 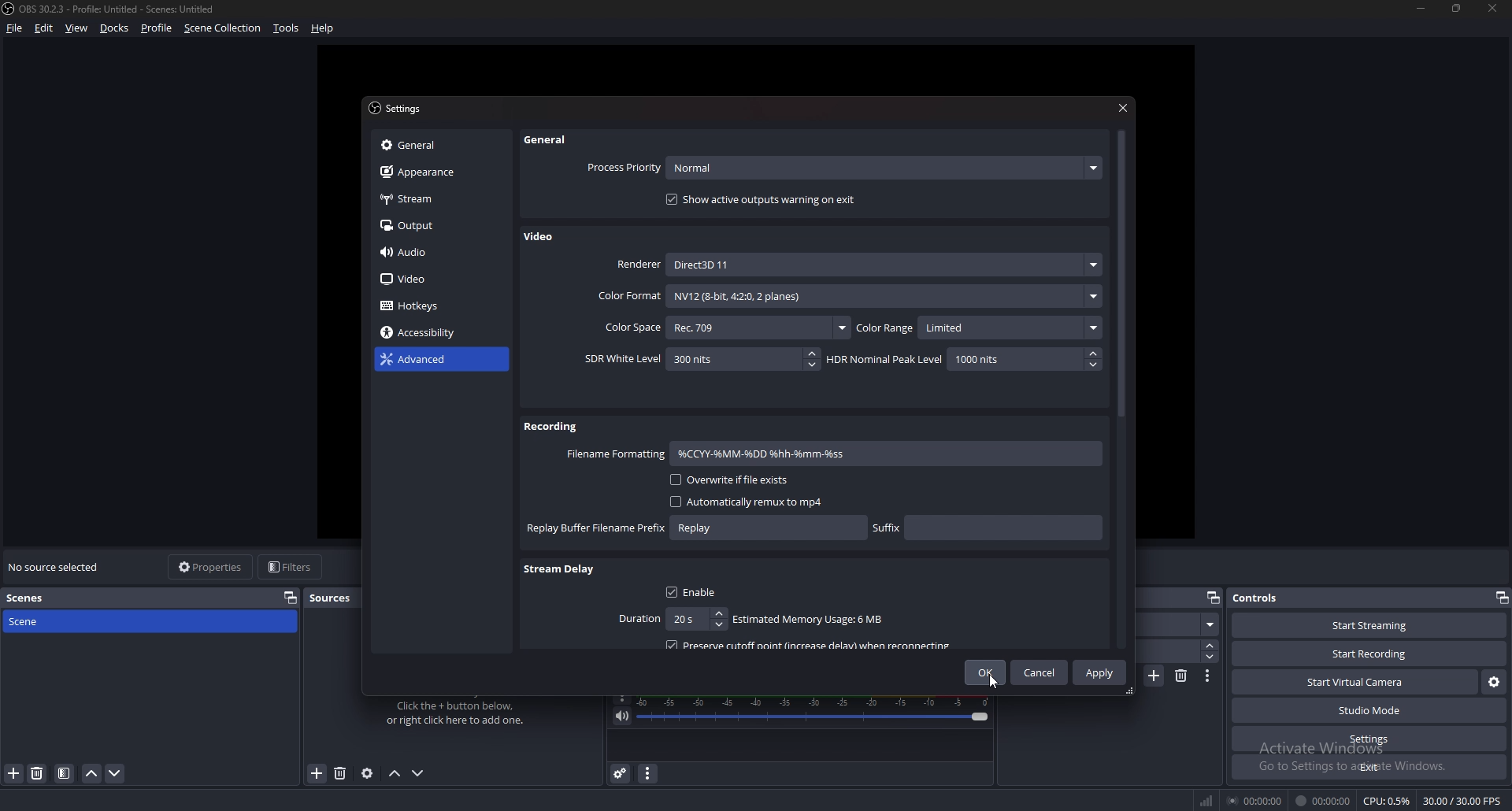 I want to click on signal, so click(x=1204, y=798).